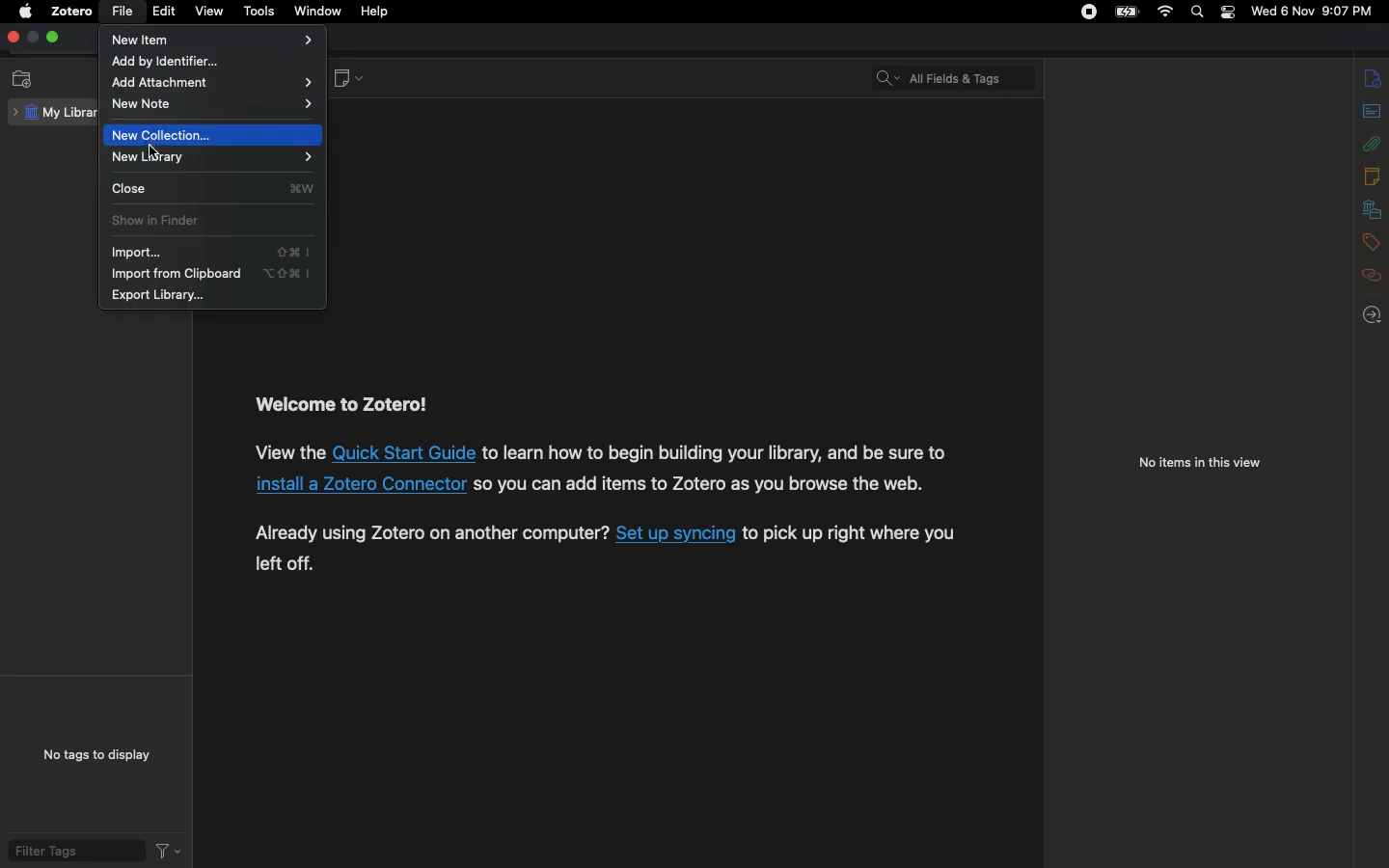  I want to click on install a Zotero Connector, so click(360, 484).